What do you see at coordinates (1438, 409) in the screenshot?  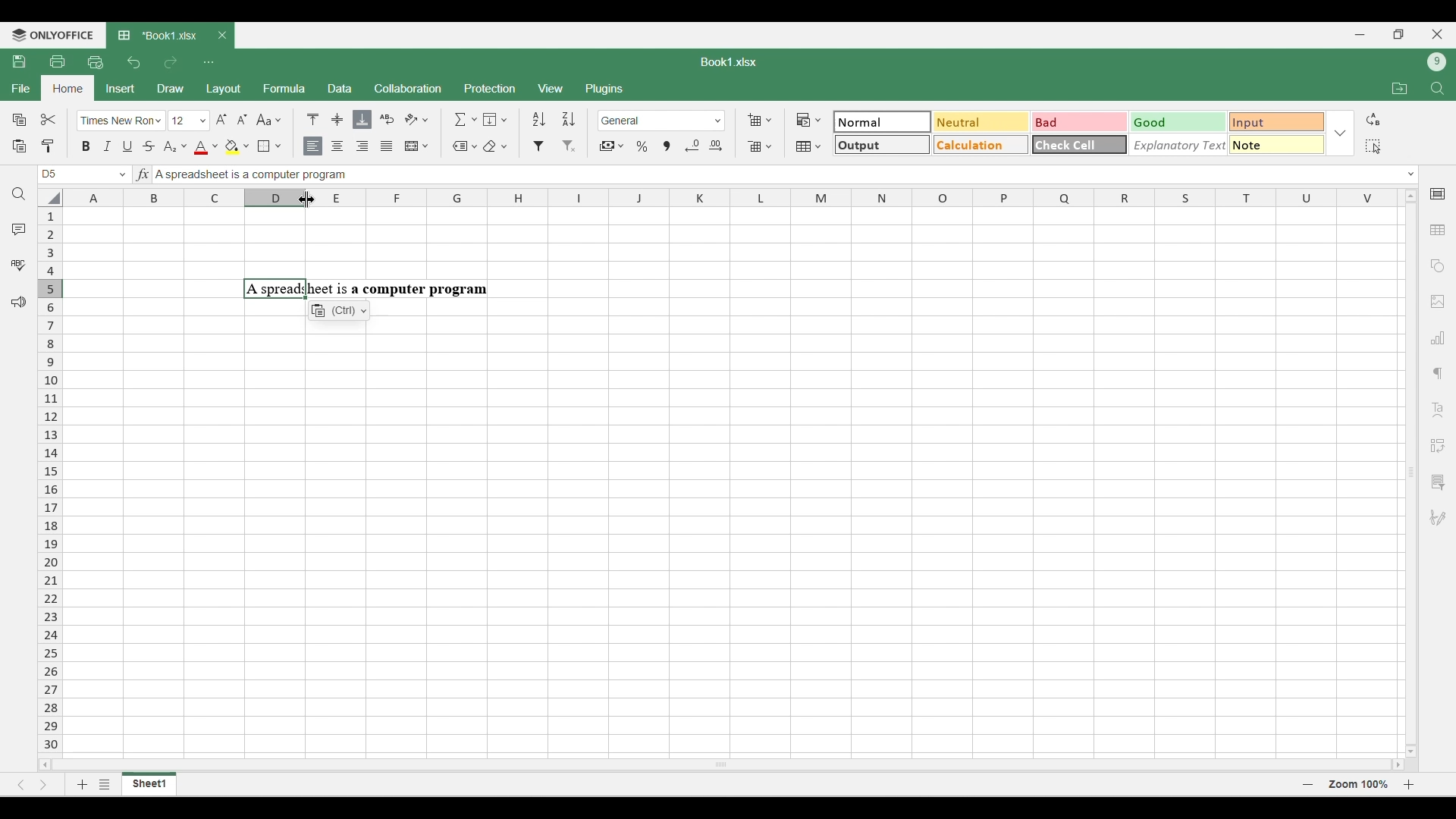 I see `Text alignment` at bounding box center [1438, 409].